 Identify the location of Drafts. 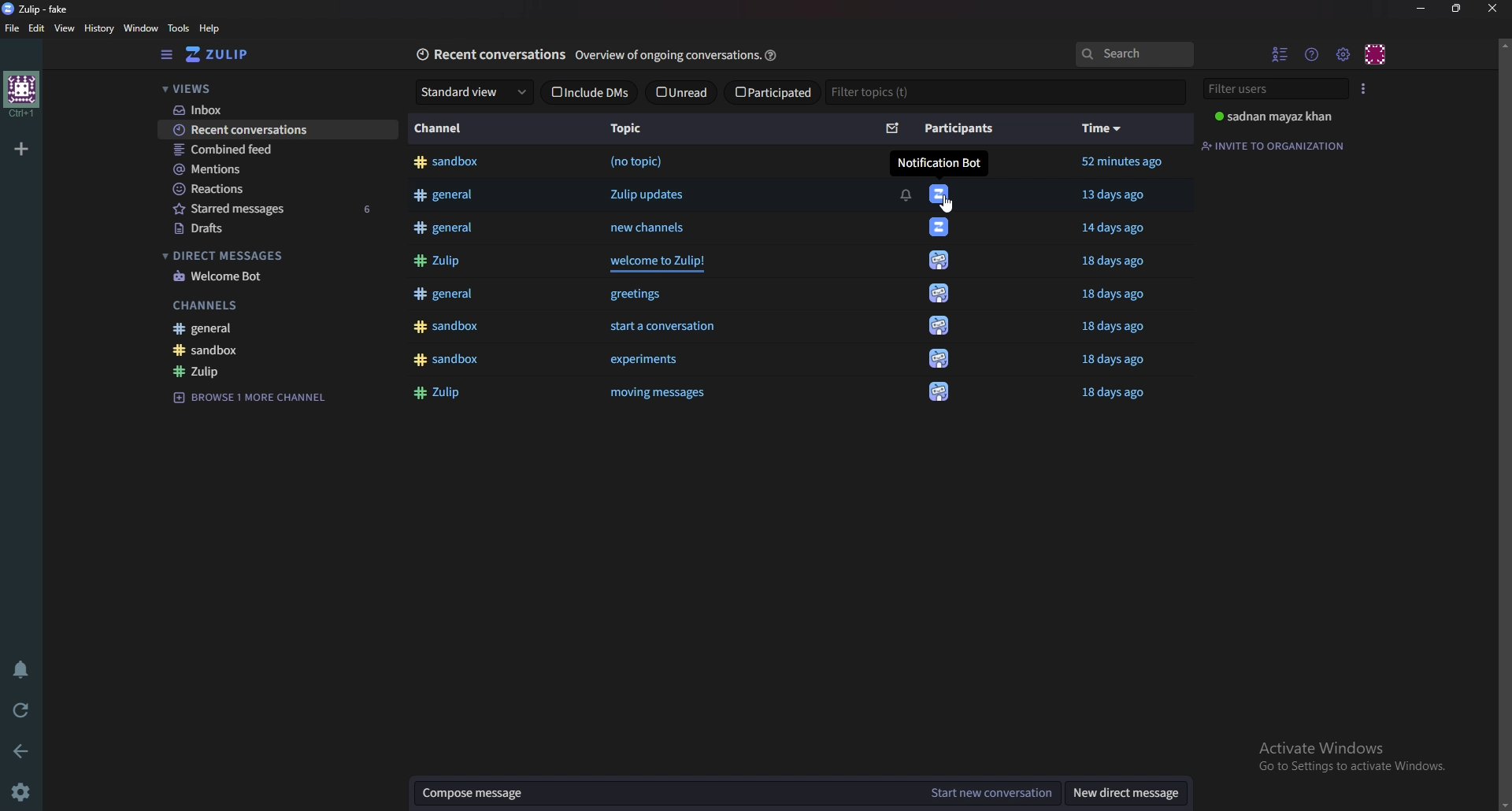
(263, 229).